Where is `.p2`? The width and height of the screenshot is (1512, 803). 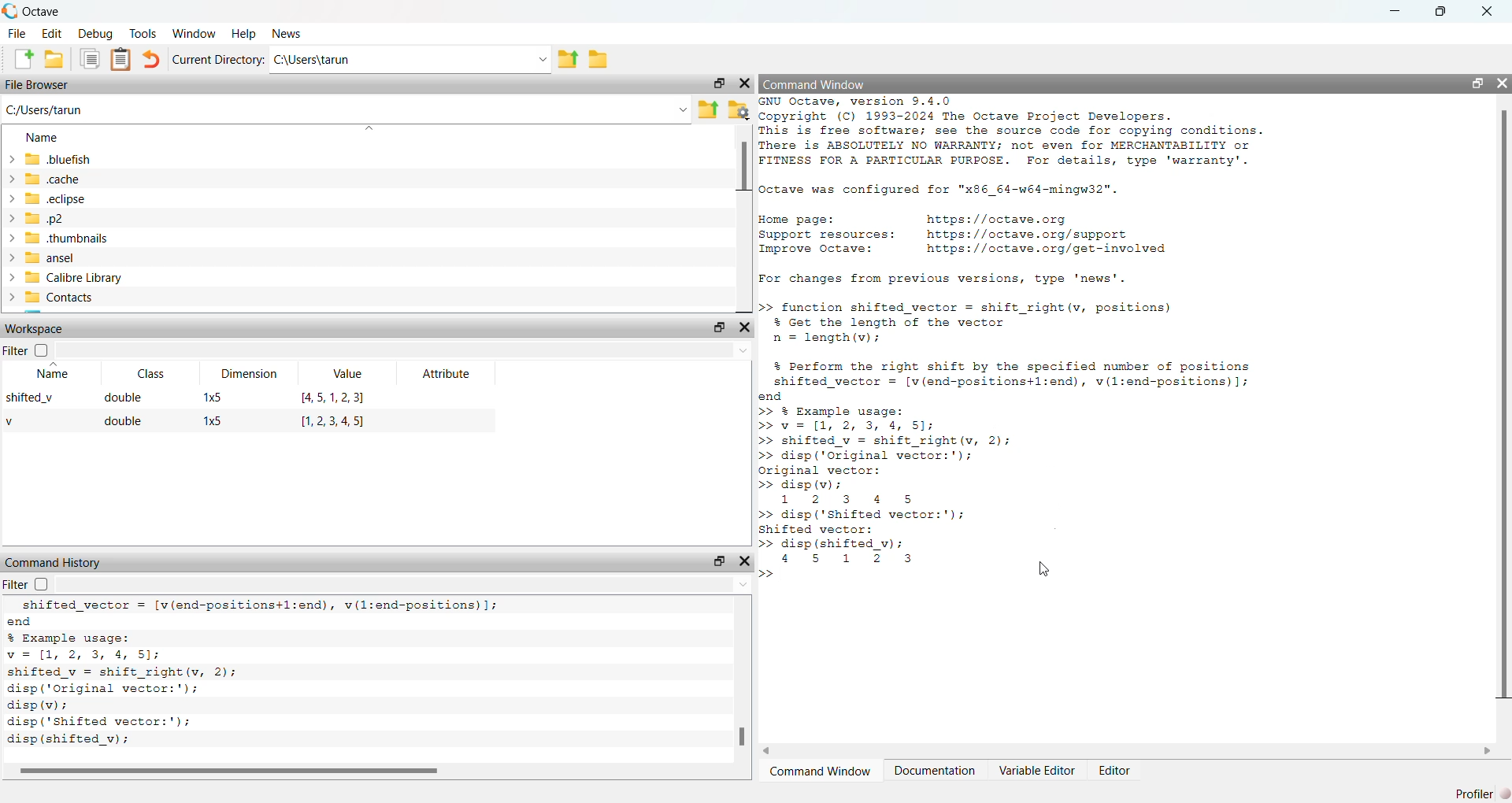 .p2 is located at coordinates (76, 219).